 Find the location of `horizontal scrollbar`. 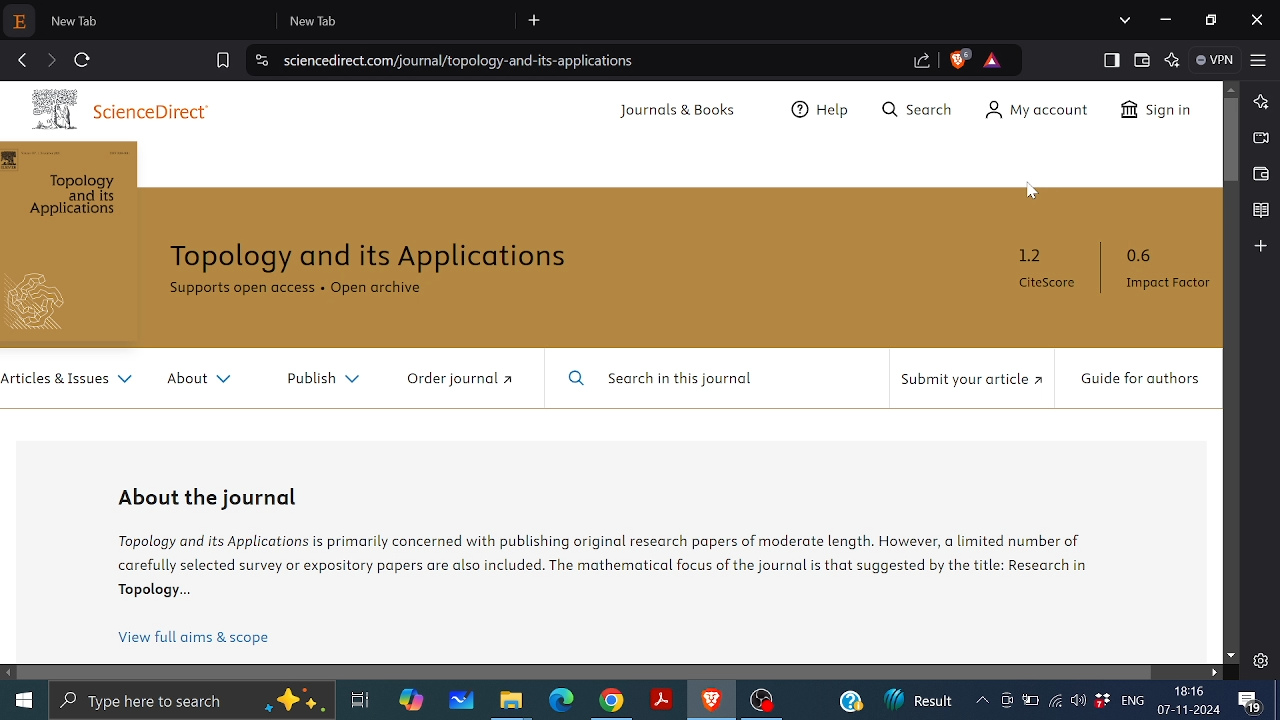

horizontal scrollbar is located at coordinates (586, 673).